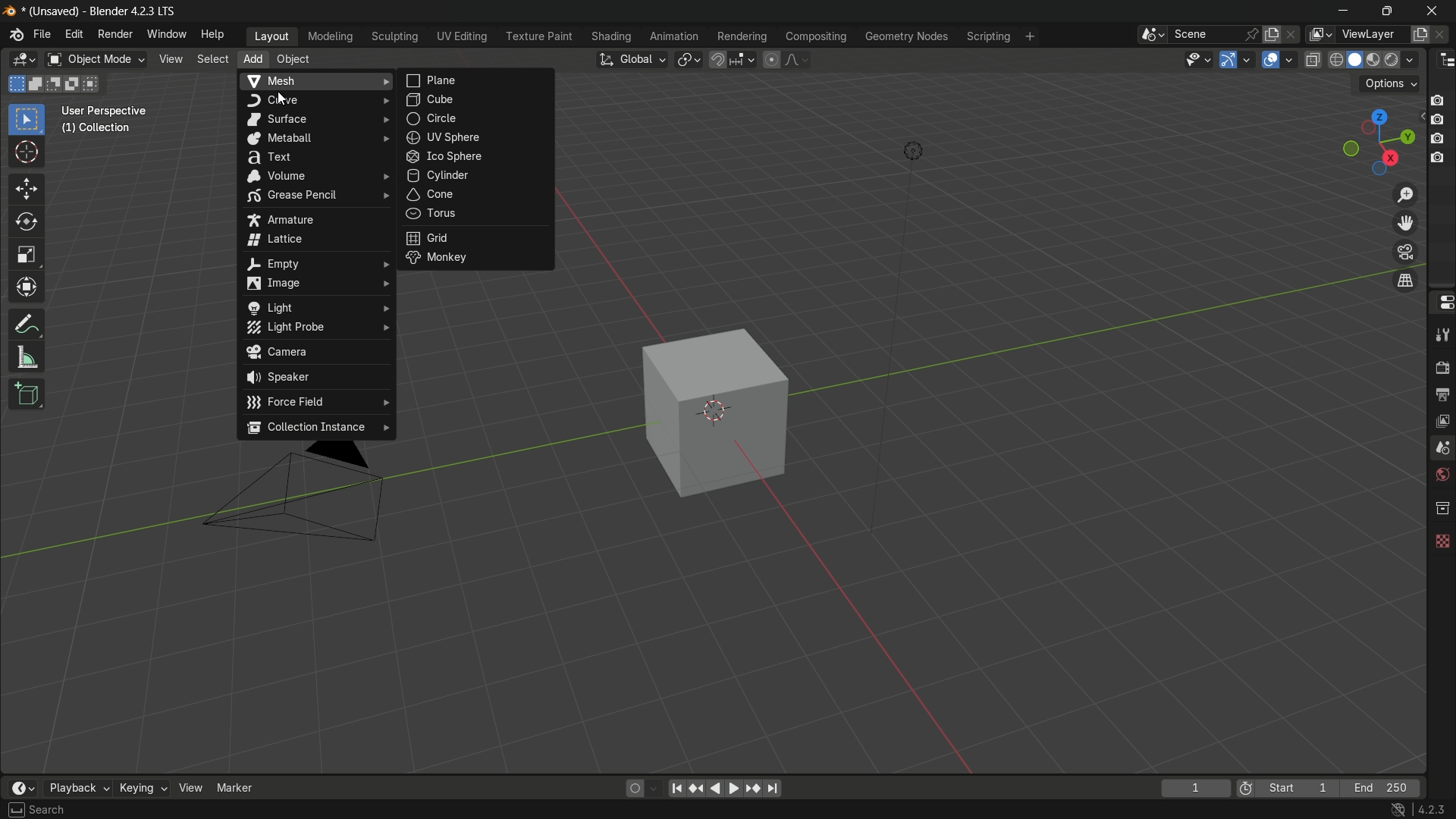  I want to click on keying, so click(142, 785).